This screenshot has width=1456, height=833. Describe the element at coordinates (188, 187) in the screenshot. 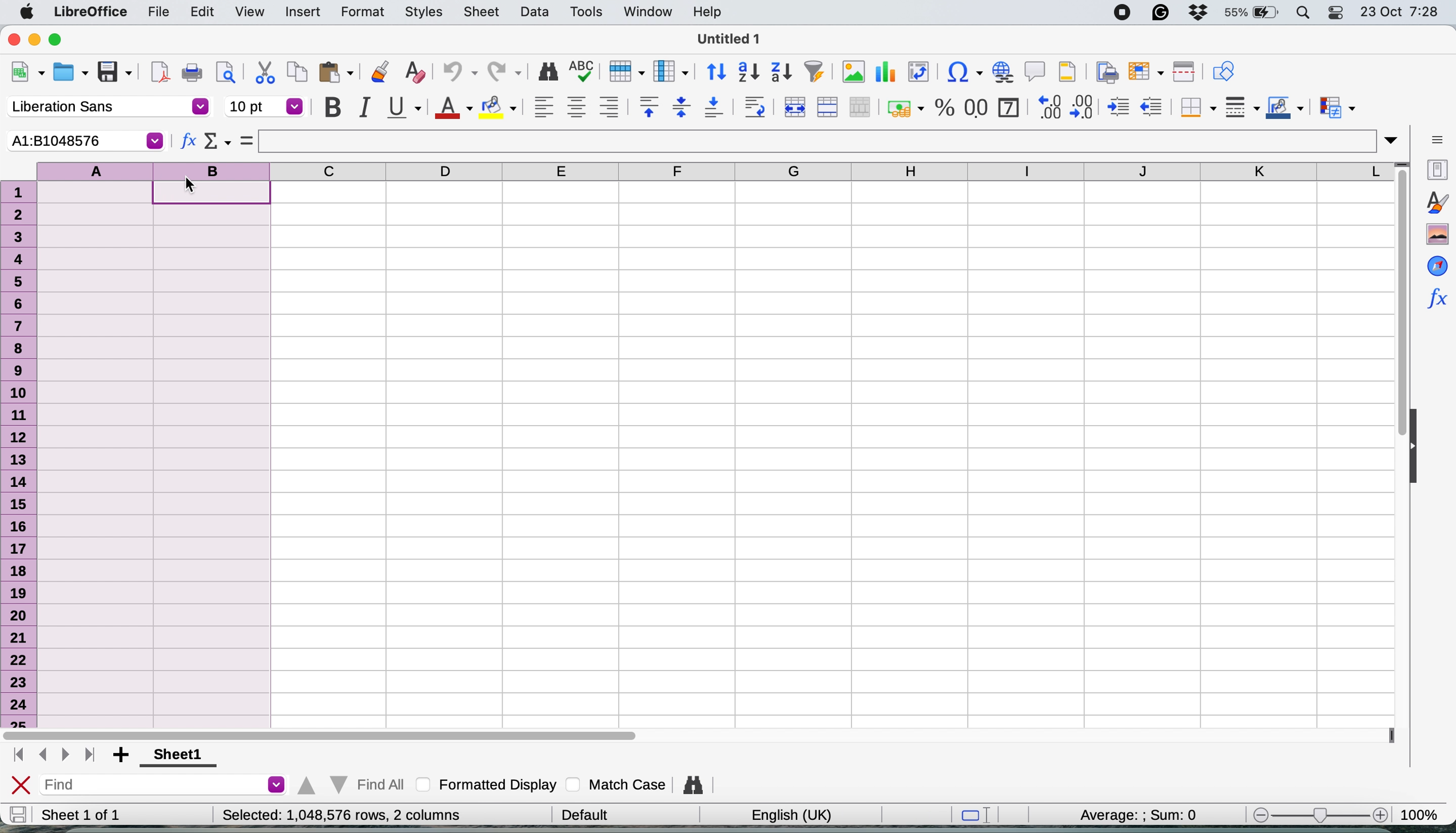

I see `cursor` at that location.